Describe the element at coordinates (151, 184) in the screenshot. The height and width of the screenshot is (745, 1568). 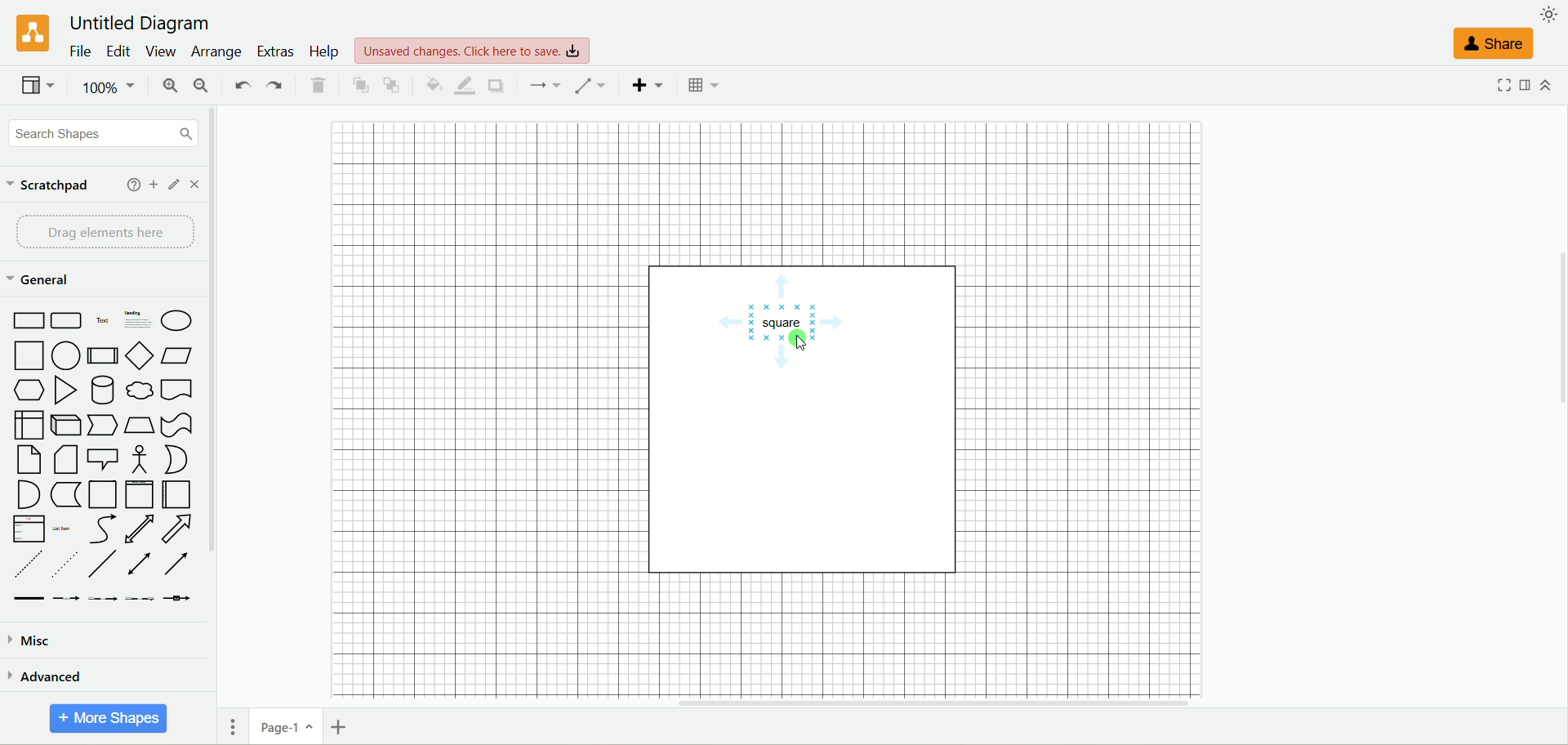
I see `add` at that location.